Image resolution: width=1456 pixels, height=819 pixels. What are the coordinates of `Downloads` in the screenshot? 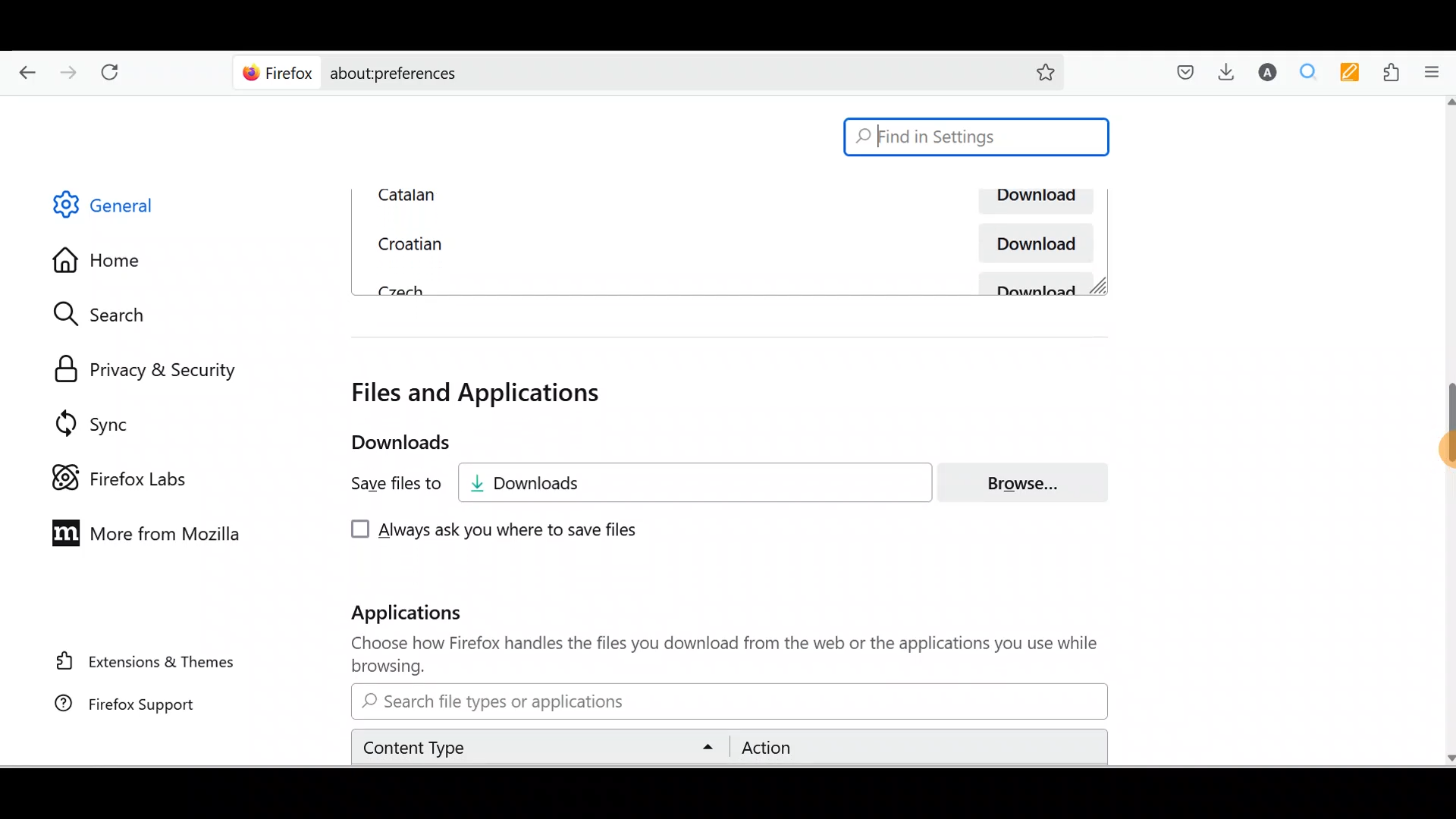 It's located at (1231, 75).